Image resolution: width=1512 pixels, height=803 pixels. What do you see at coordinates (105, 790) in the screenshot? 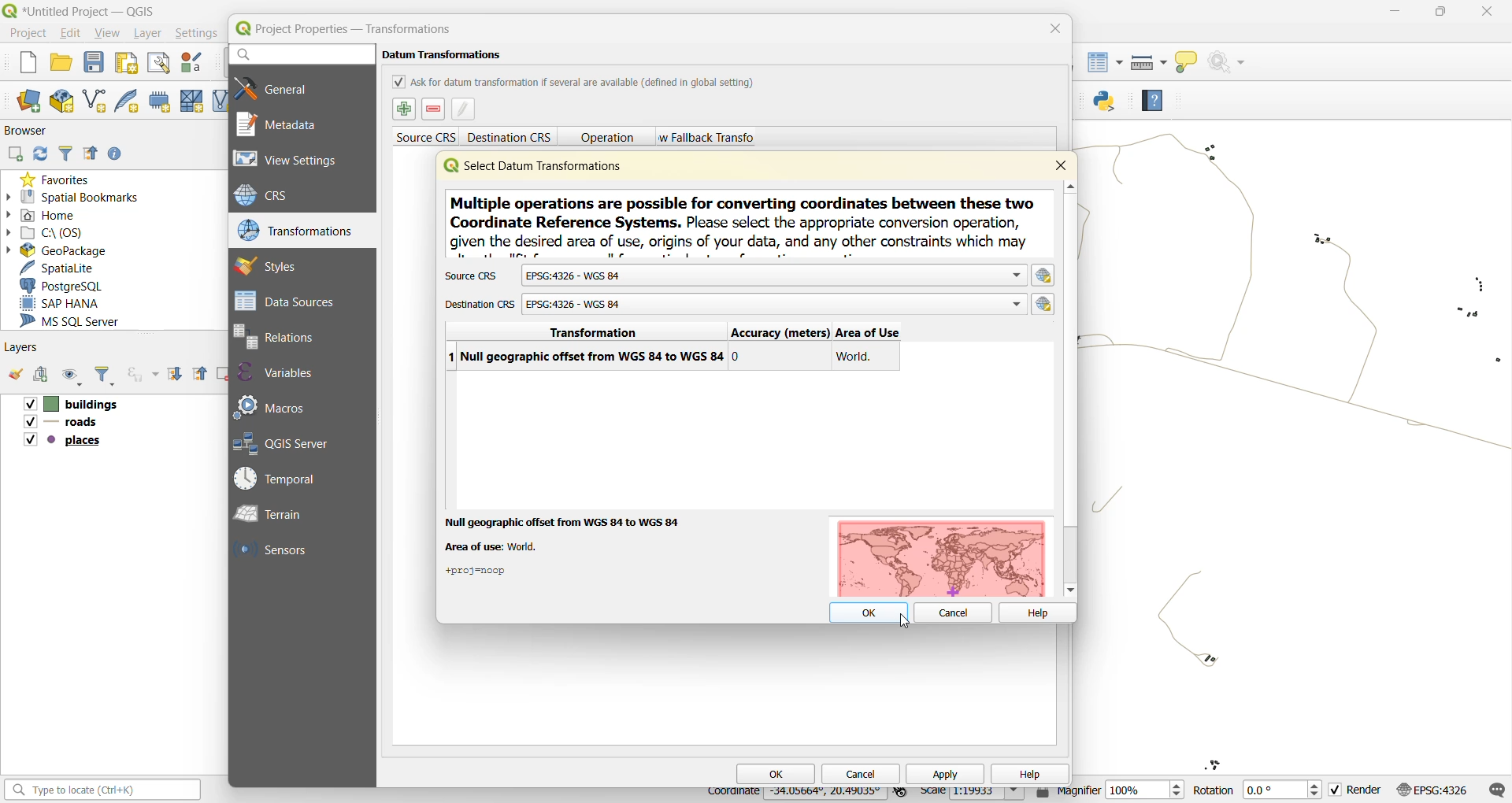
I see `search bar` at bounding box center [105, 790].